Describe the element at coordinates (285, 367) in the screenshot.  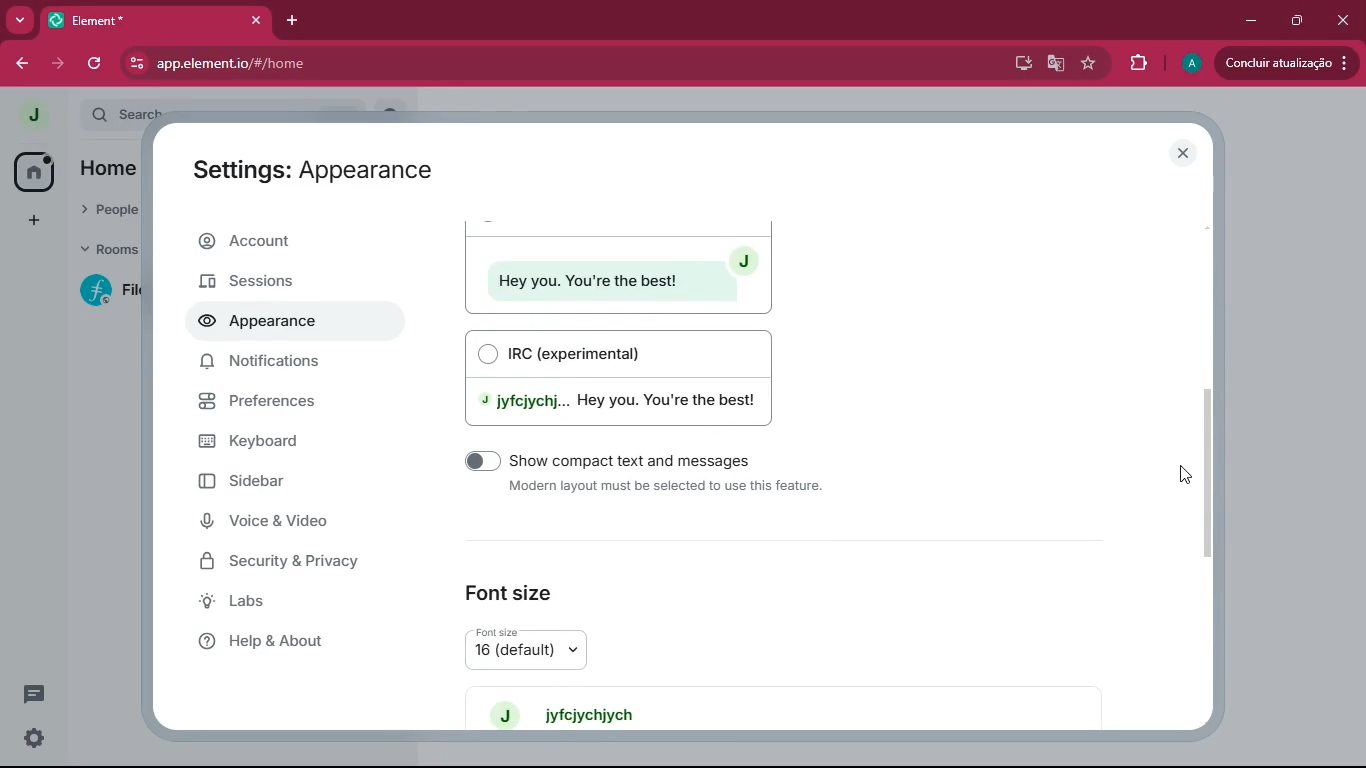
I see `notifications` at that location.